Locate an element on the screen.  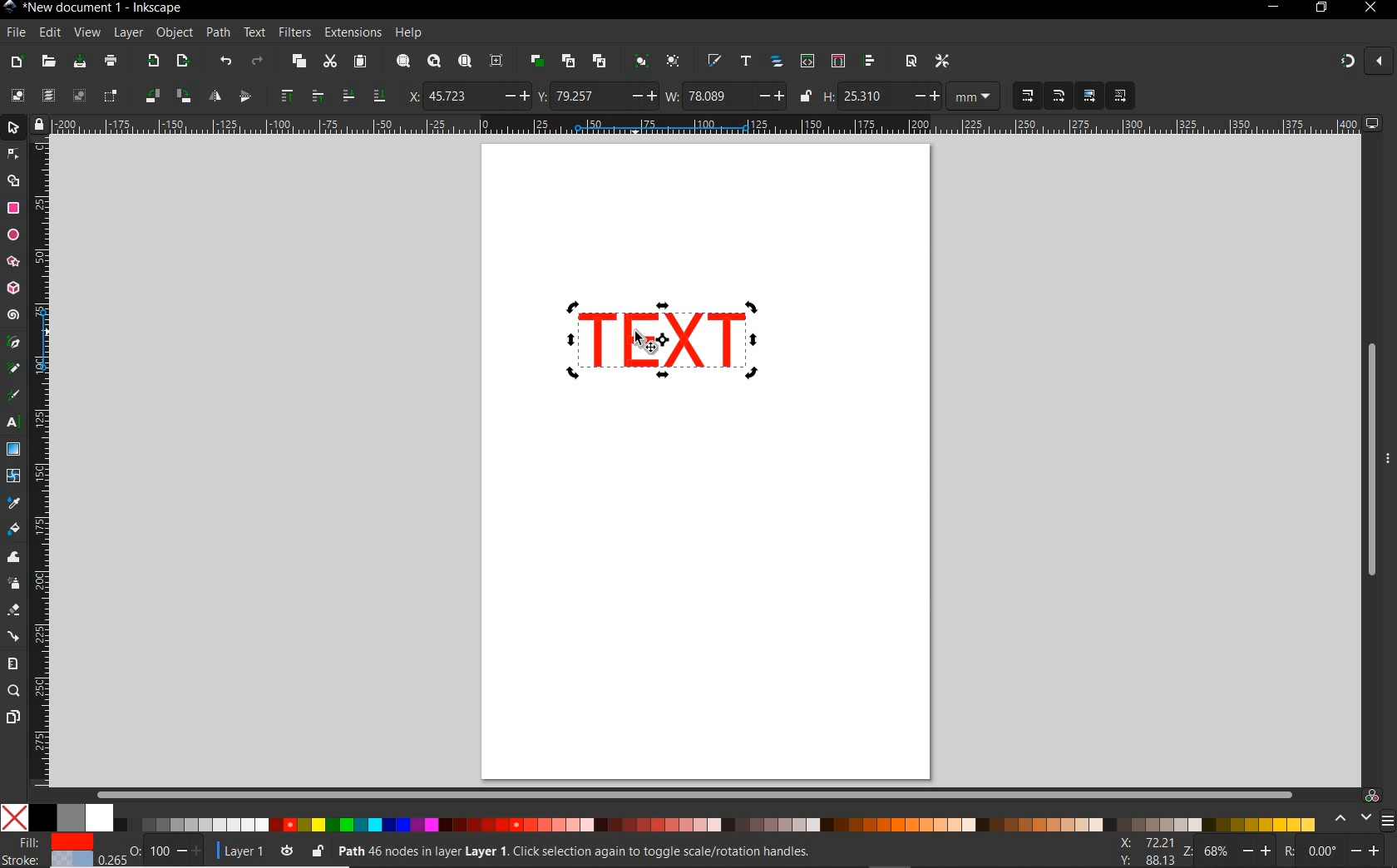
LAYER is located at coordinates (129, 32).